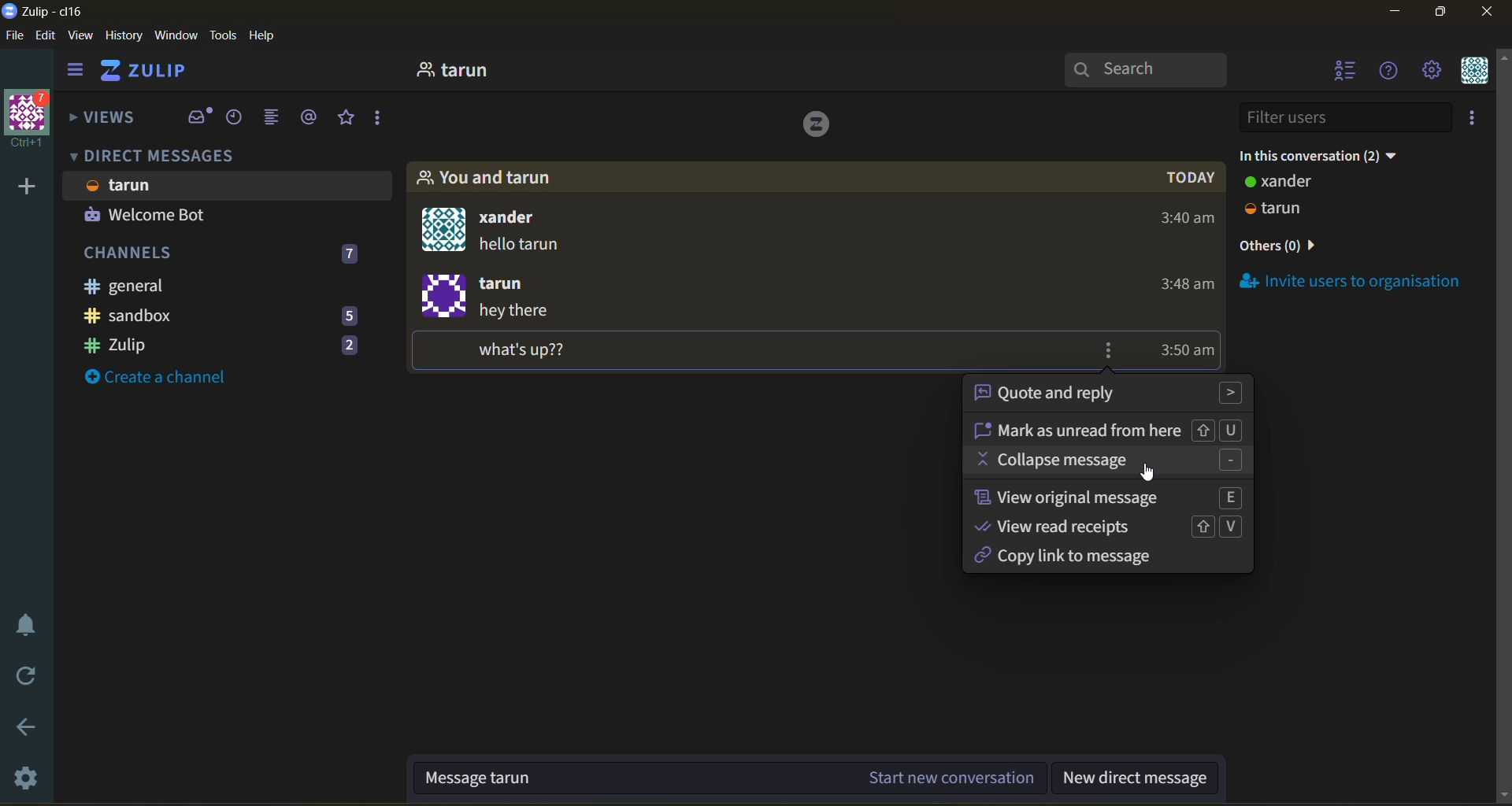 Image resolution: width=1512 pixels, height=806 pixels. Describe the element at coordinates (509, 282) in the screenshot. I see `user name` at that location.